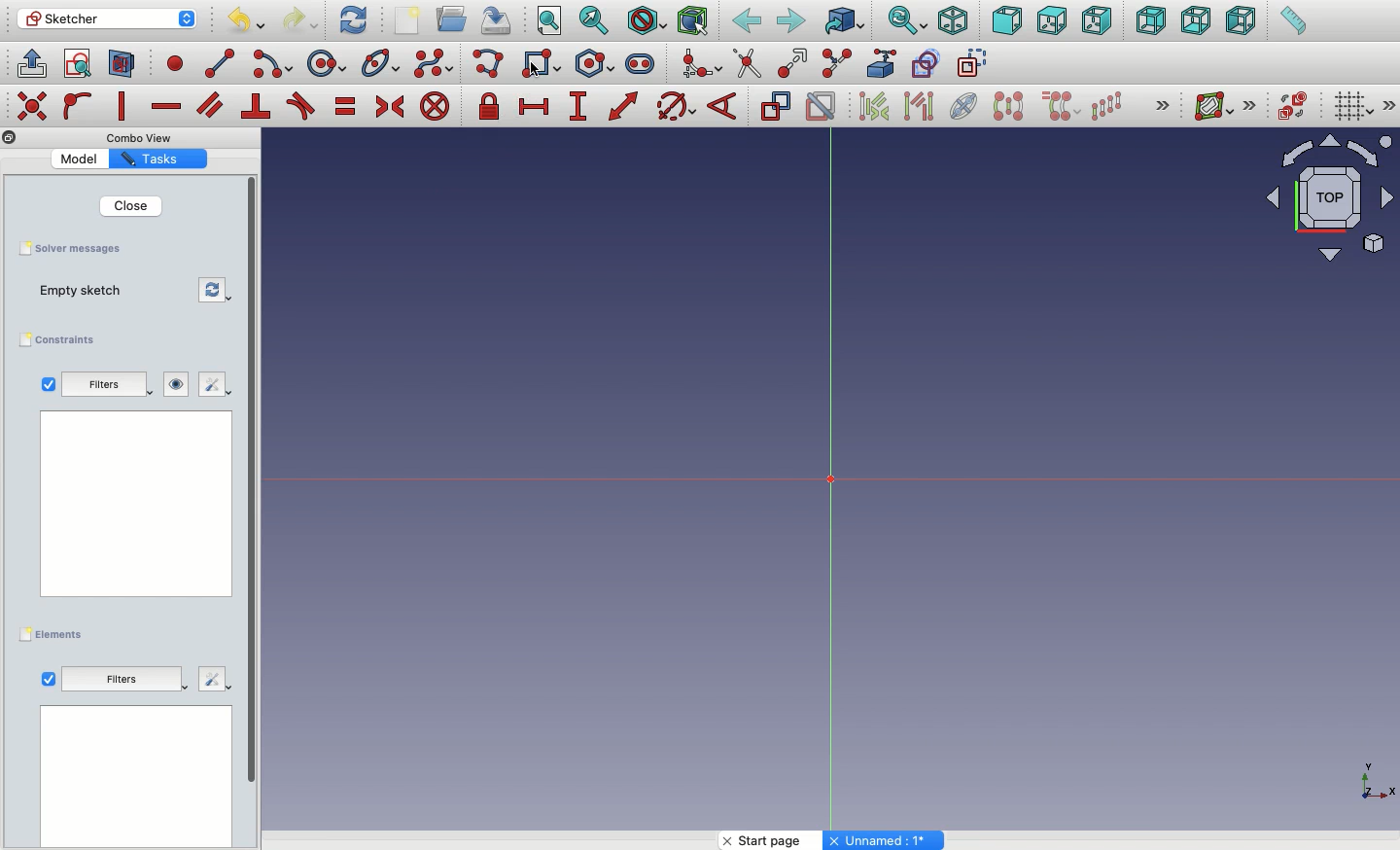  What do you see at coordinates (83, 159) in the screenshot?
I see `Model` at bounding box center [83, 159].